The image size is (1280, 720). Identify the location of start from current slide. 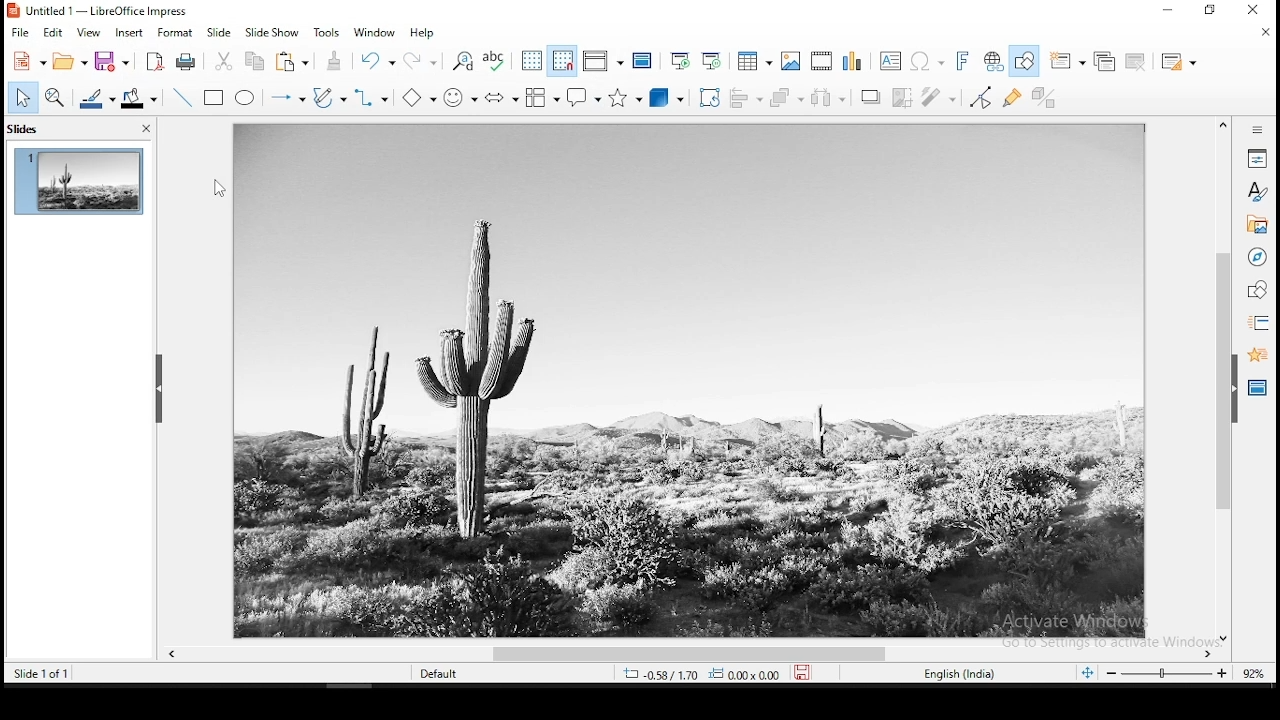
(712, 58).